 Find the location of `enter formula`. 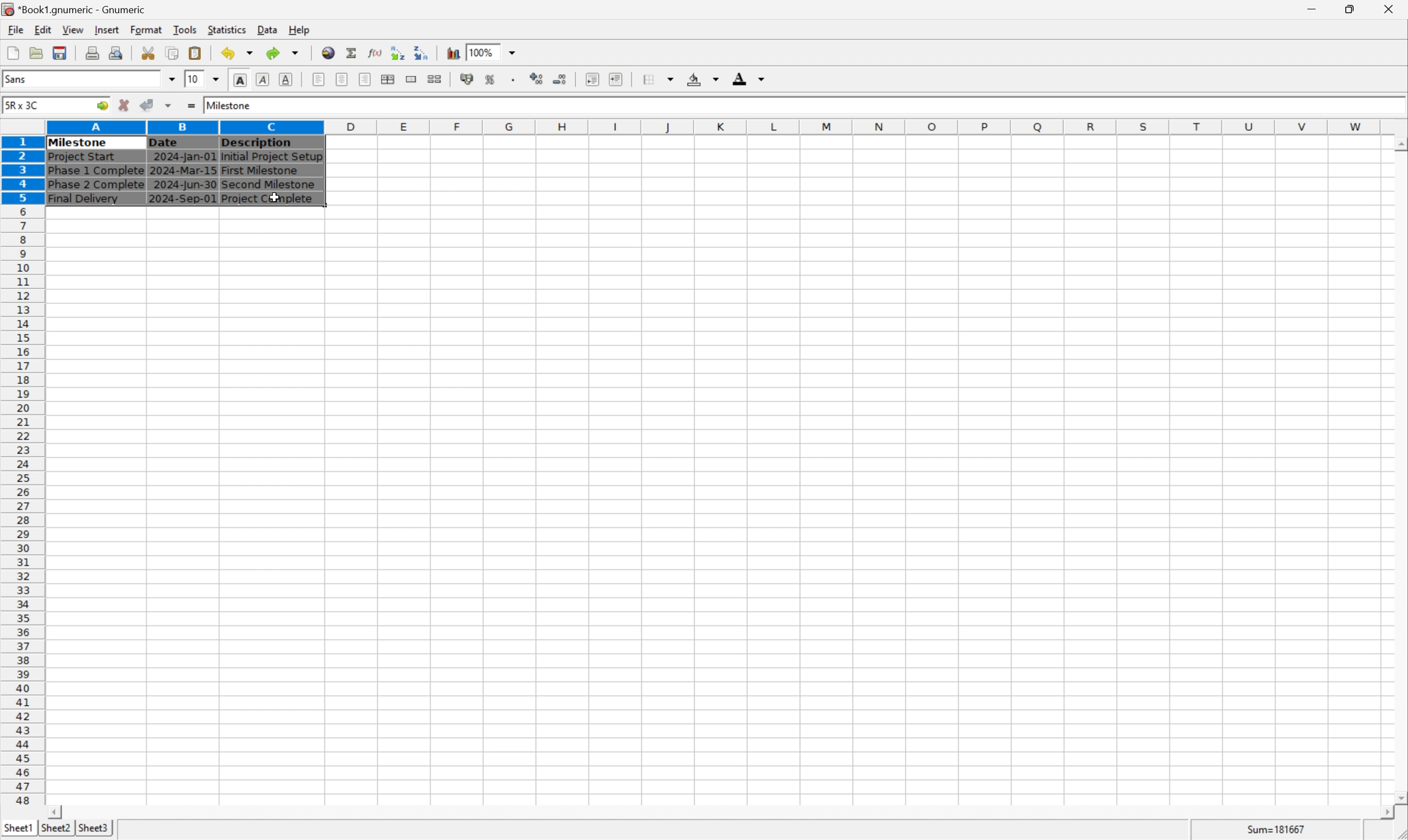

enter formula is located at coordinates (190, 106).